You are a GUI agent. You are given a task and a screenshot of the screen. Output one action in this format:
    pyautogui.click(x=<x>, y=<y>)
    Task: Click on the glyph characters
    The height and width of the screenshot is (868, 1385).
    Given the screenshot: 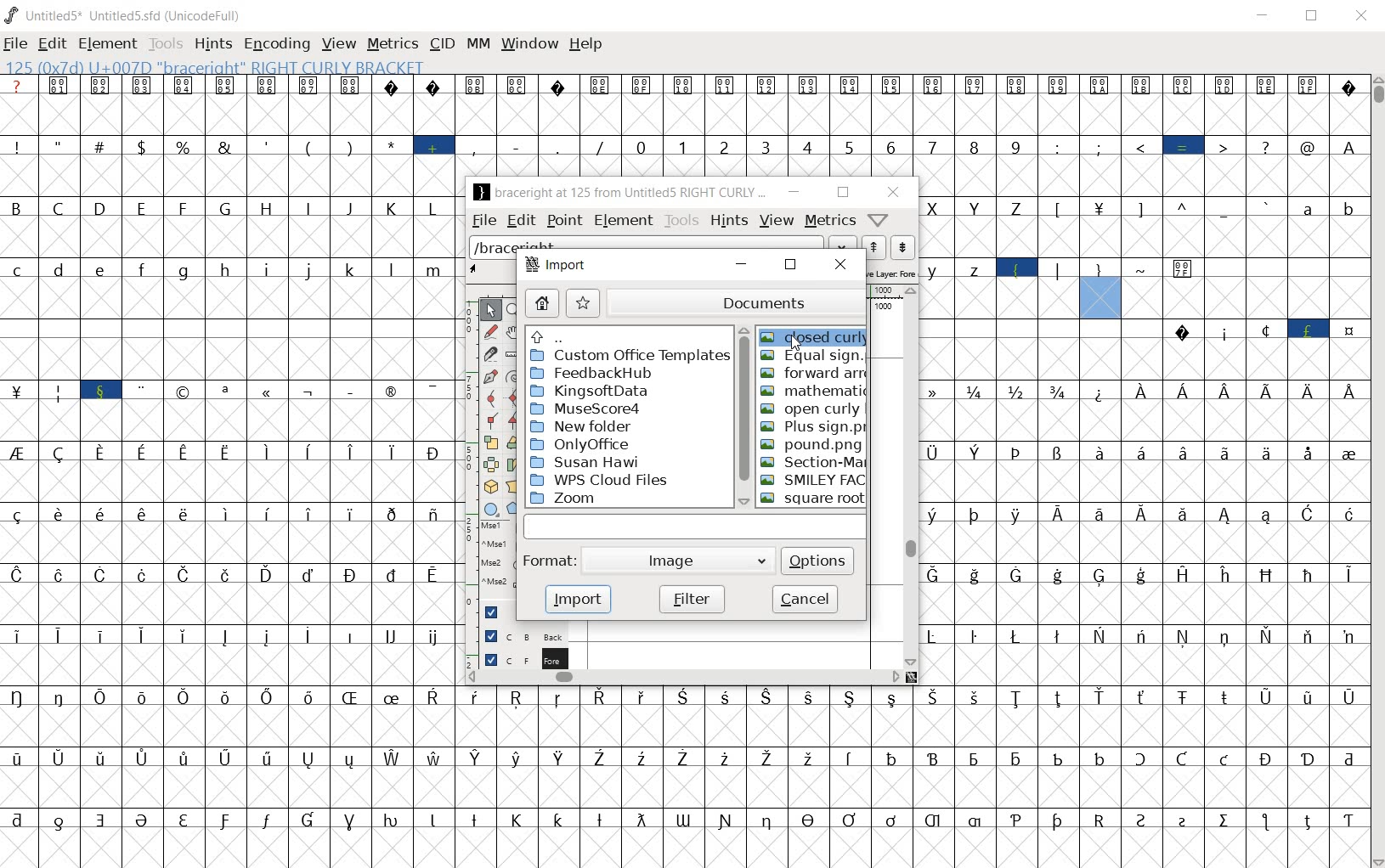 What is the action you would take?
    pyautogui.click(x=227, y=472)
    